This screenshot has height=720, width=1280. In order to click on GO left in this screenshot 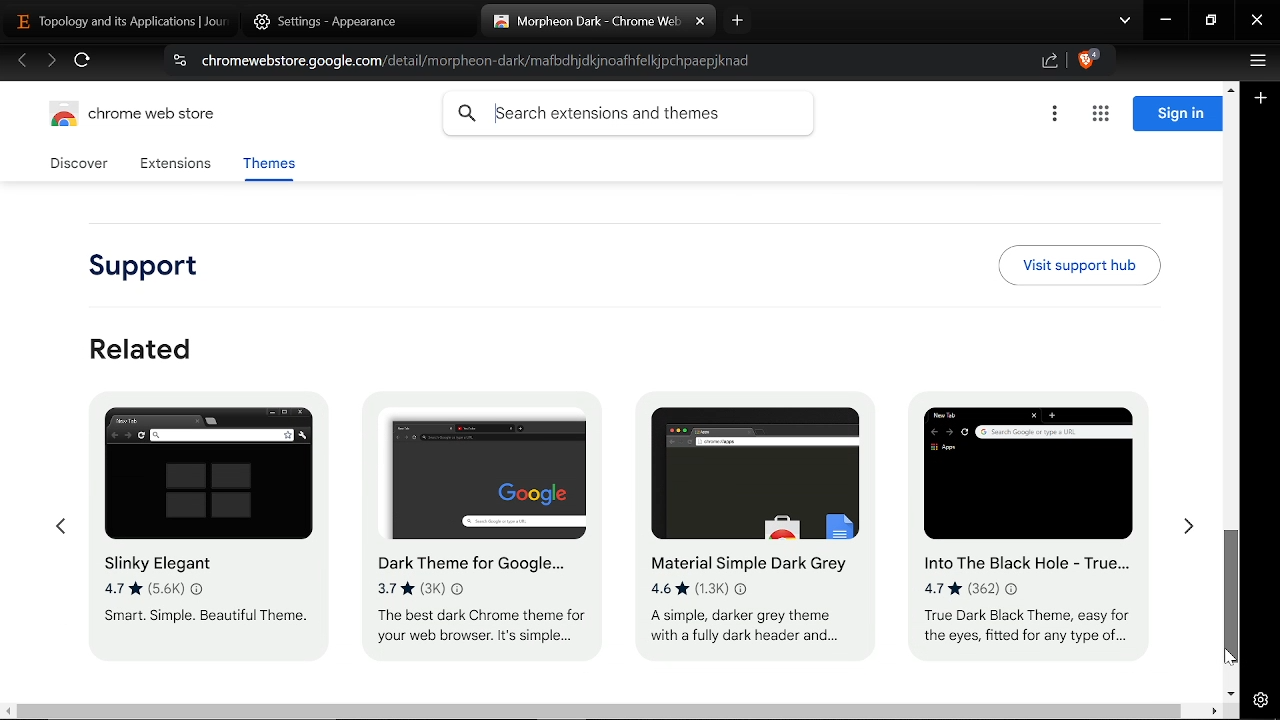, I will do `click(59, 528)`.